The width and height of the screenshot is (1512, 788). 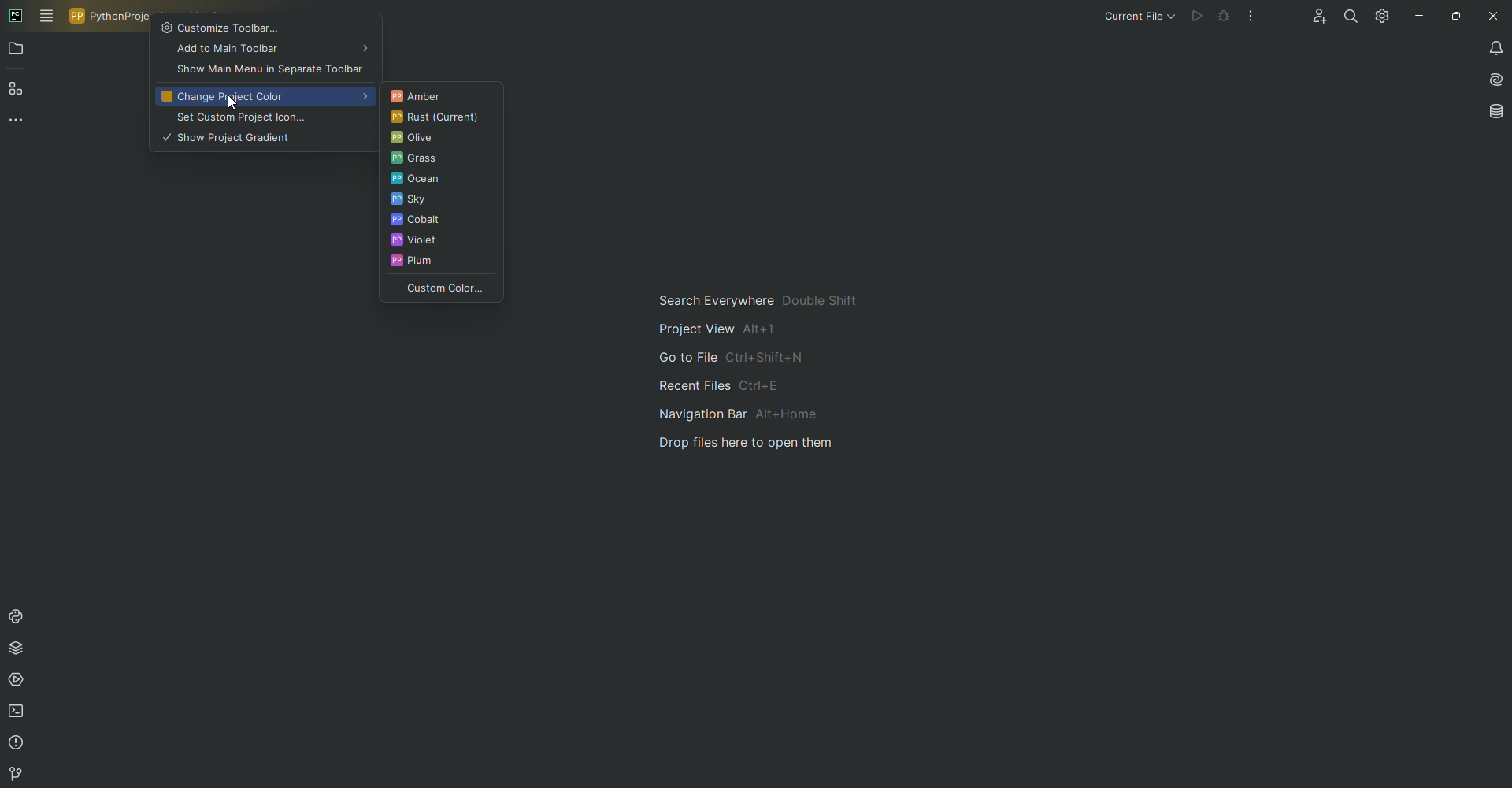 What do you see at coordinates (439, 201) in the screenshot?
I see `Sky` at bounding box center [439, 201].